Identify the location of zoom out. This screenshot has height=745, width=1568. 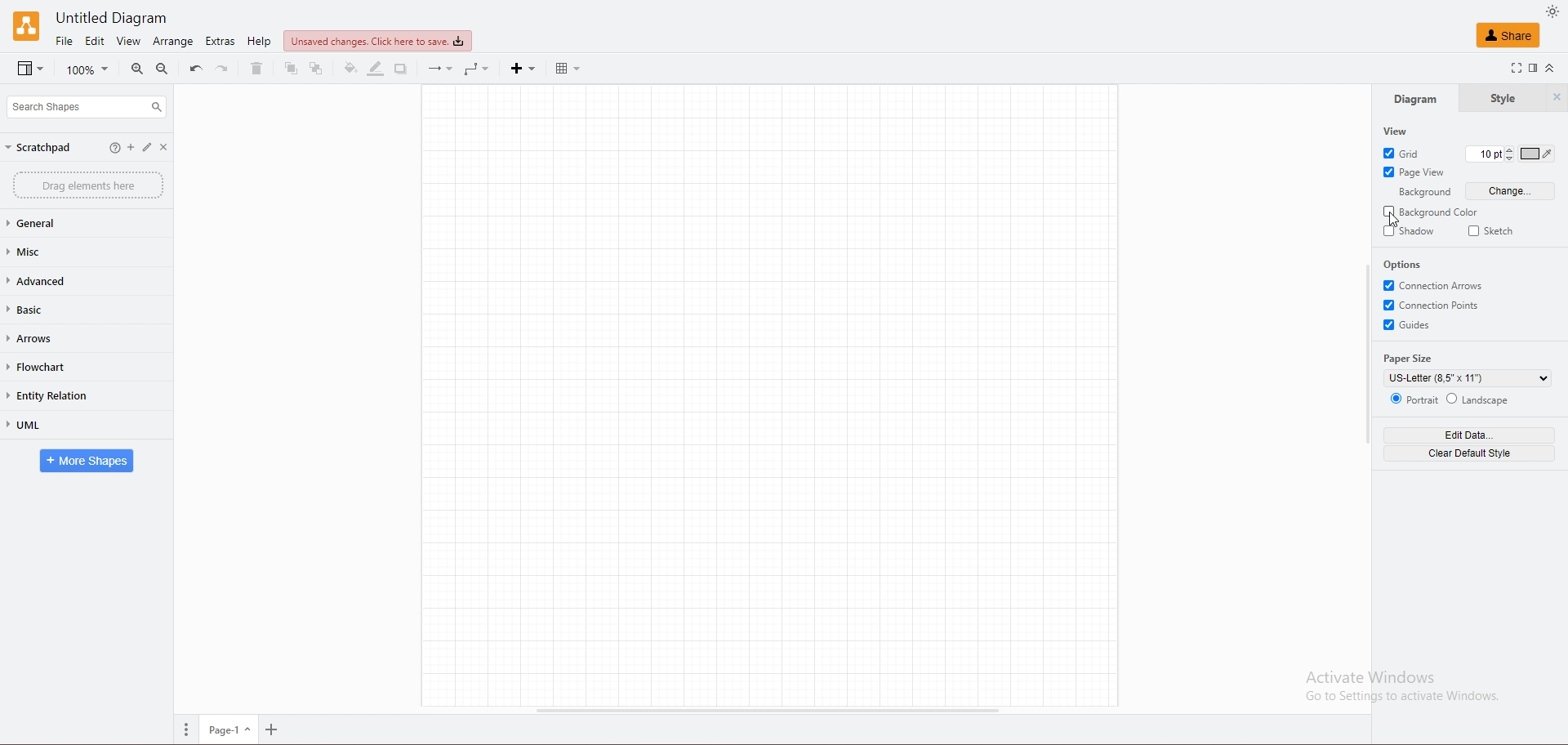
(163, 69).